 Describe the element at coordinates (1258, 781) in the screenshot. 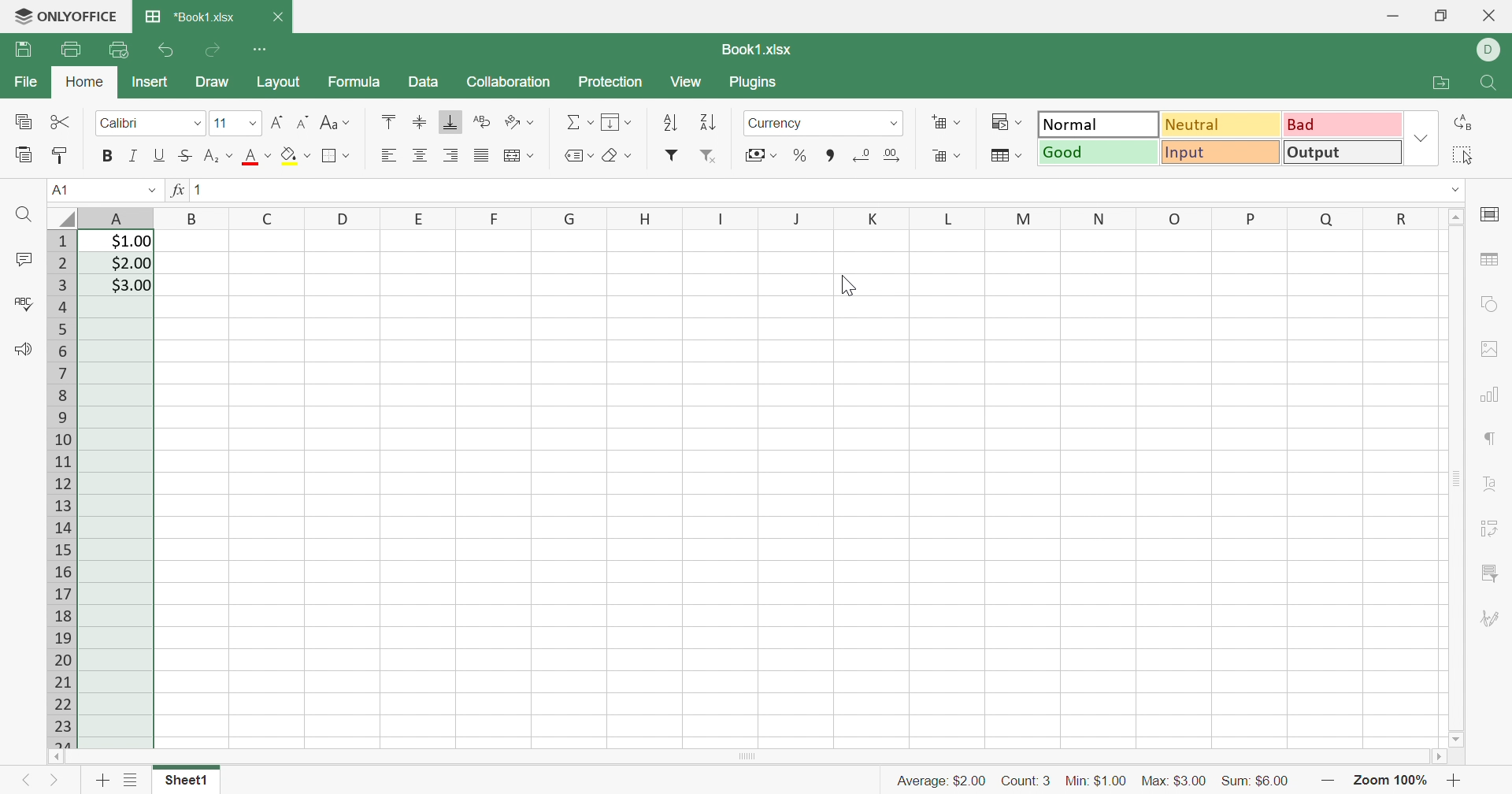

I see `Sum: $6.00` at that location.